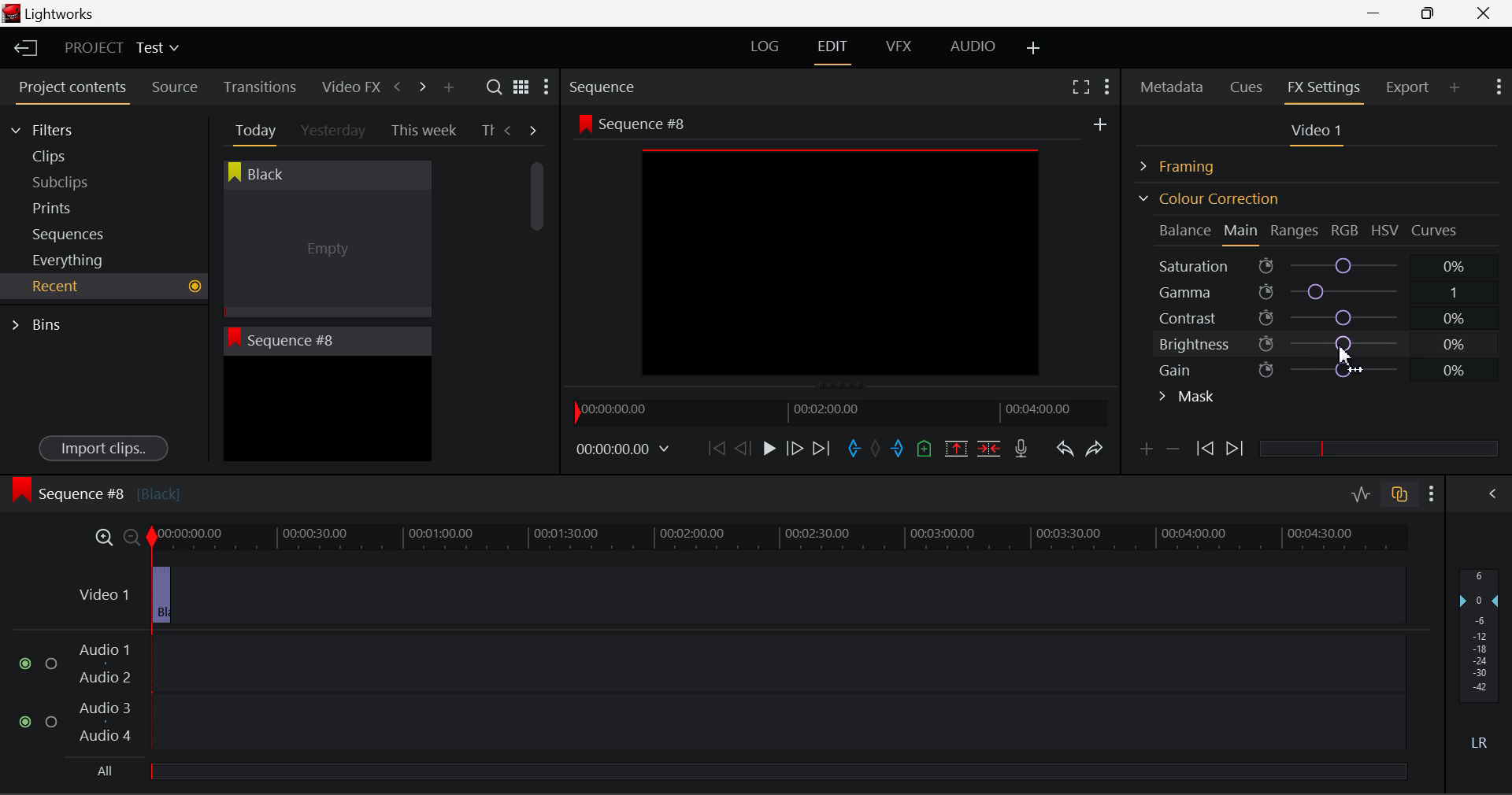 The width and height of the screenshot is (1512, 795). Describe the element at coordinates (1095, 448) in the screenshot. I see `Redo` at that location.